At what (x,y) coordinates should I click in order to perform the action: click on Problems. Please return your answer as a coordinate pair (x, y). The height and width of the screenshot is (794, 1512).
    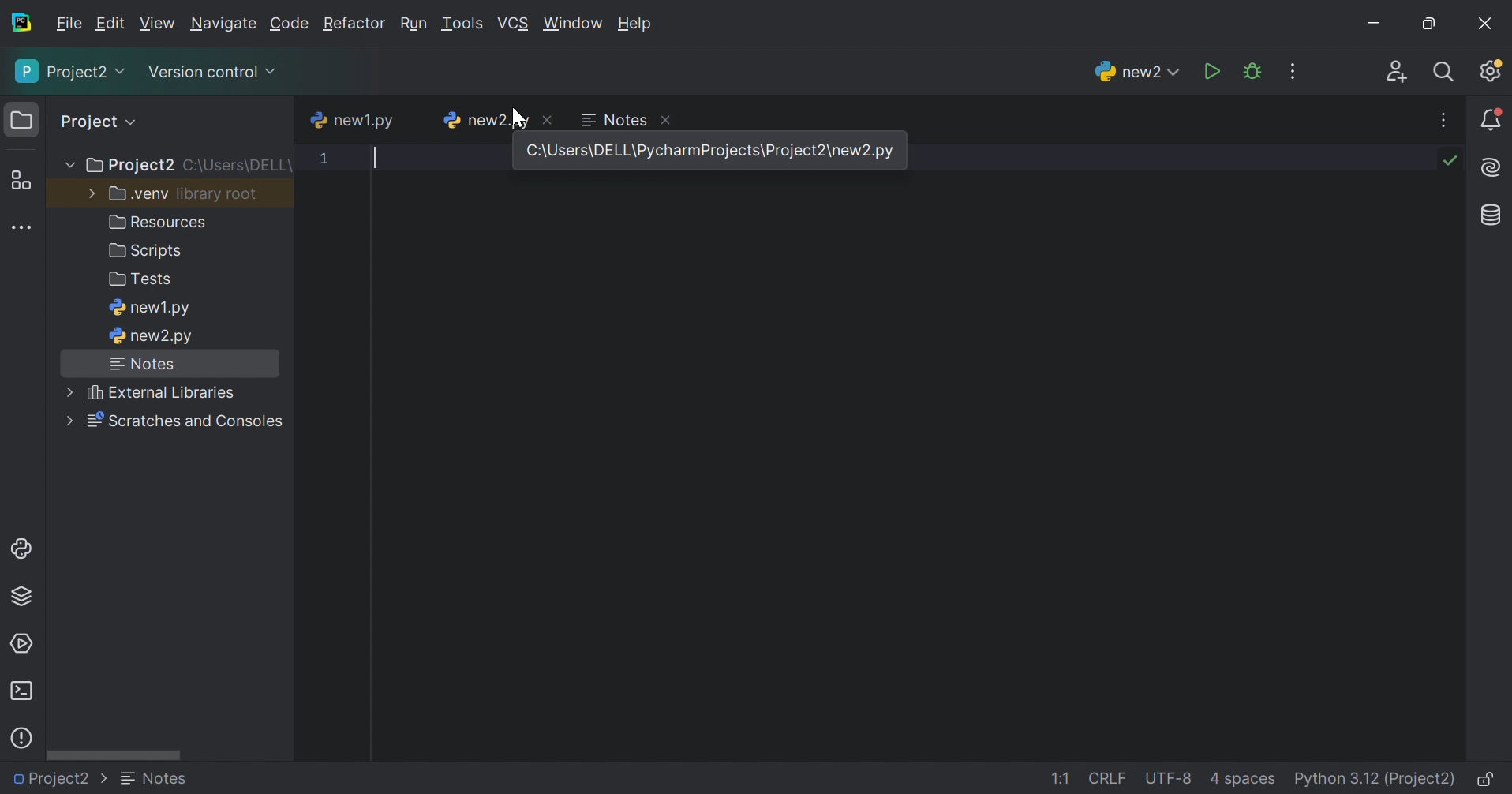
    Looking at the image, I should click on (24, 736).